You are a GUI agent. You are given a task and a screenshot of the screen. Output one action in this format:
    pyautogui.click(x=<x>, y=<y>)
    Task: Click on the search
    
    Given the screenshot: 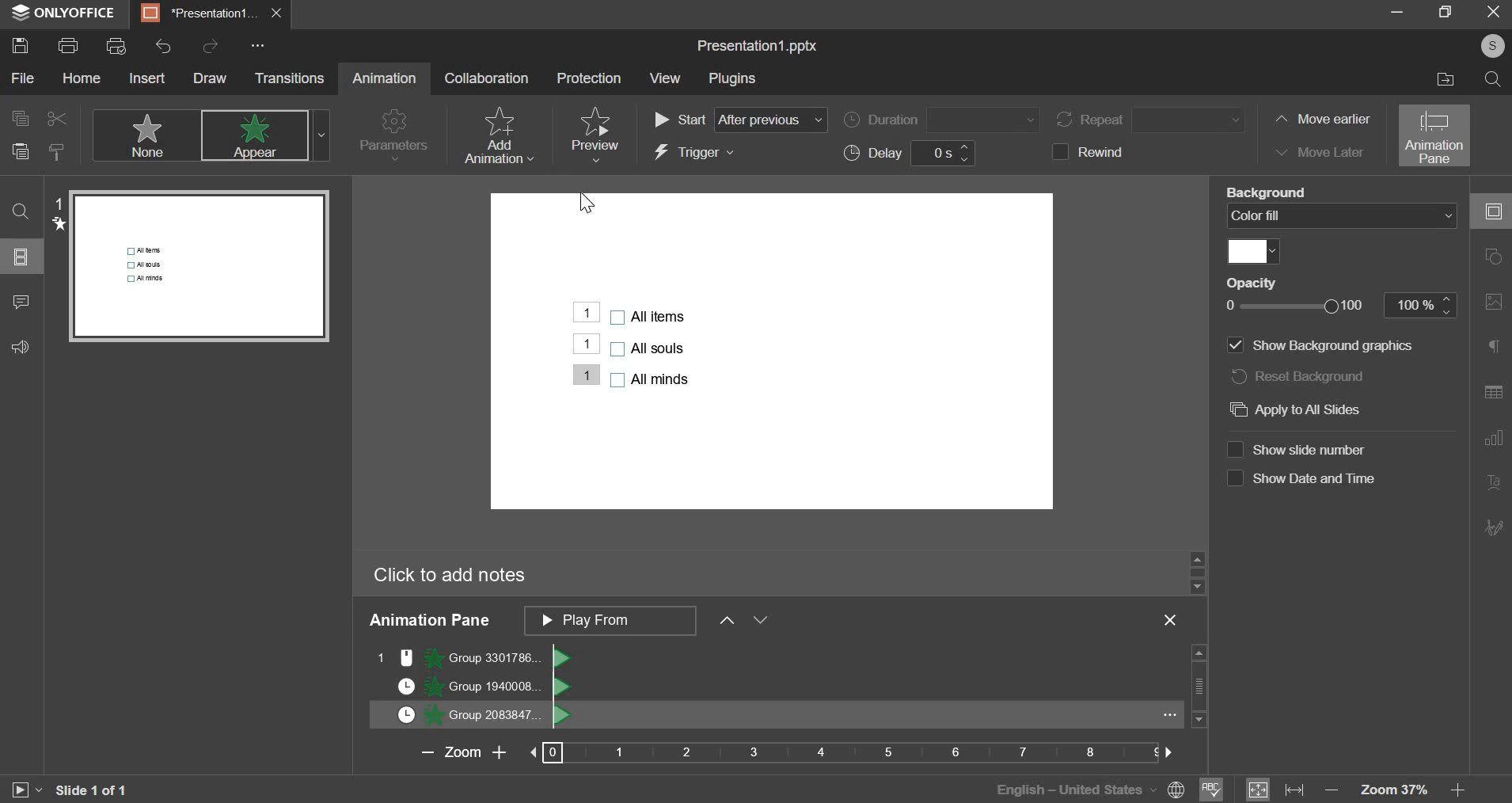 What is the action you would take?
    pyautogui.click(x=1495, y=78)
    